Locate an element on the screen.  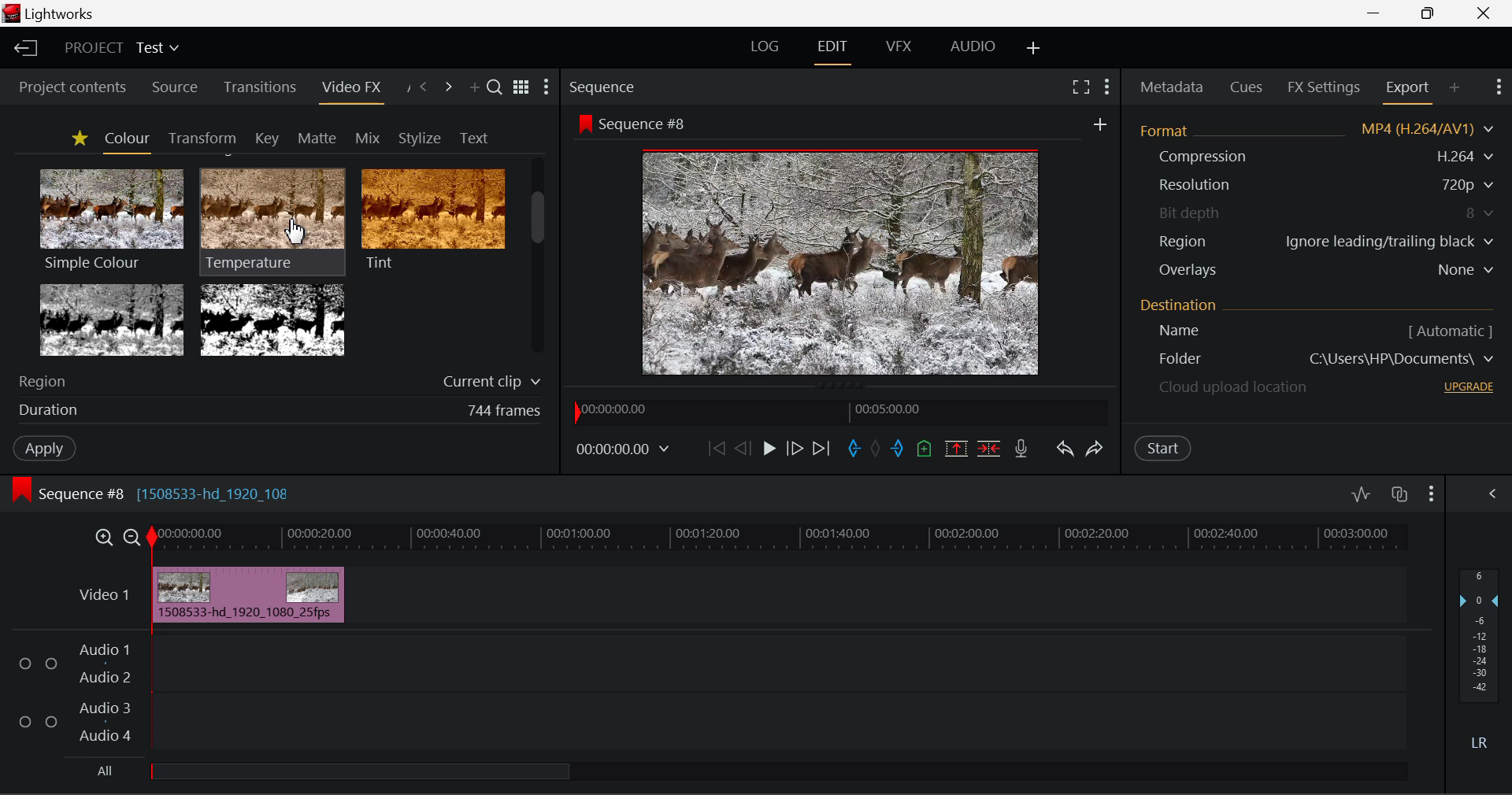
Sequence #8 [1508533-hd_1920_108 is located at coordinates (169, 490).